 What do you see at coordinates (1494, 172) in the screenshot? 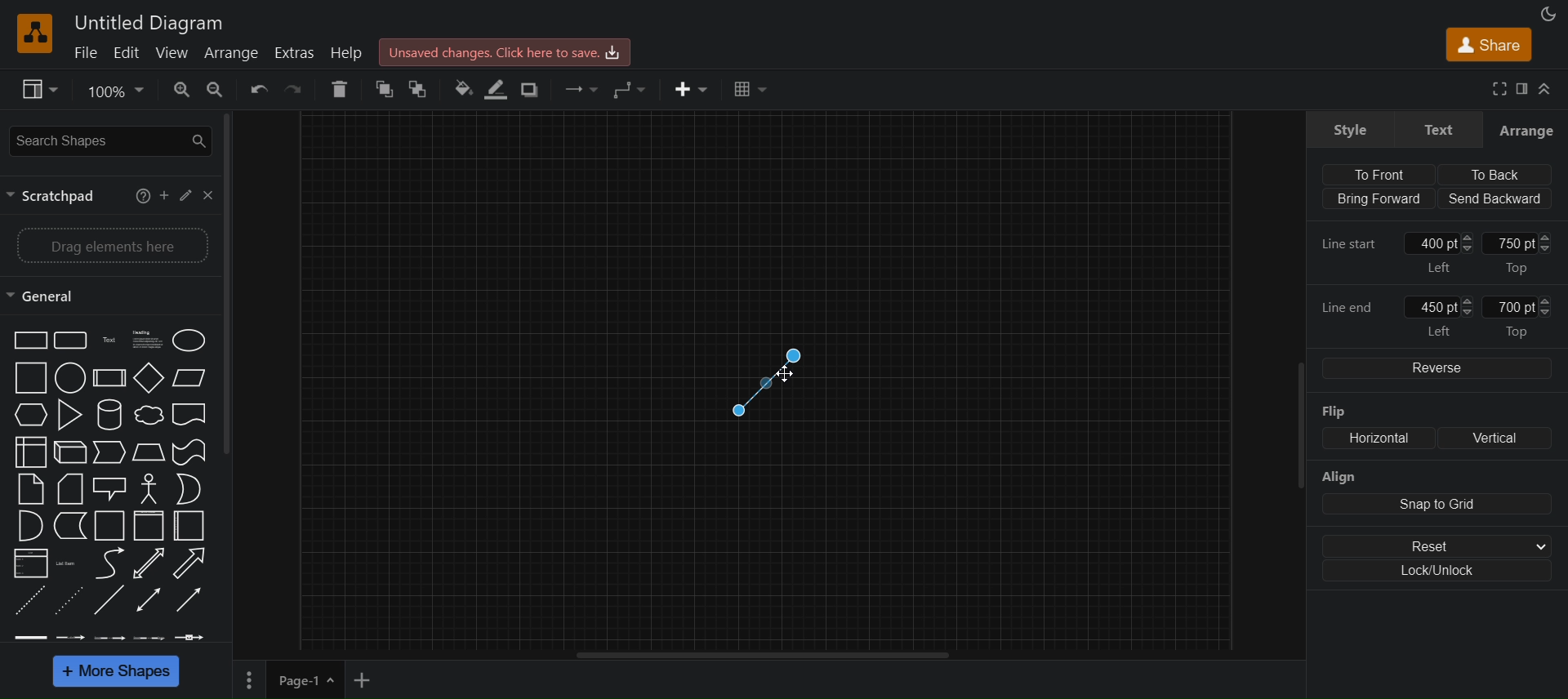
I see `to back` at bounding box center [1494, 172].